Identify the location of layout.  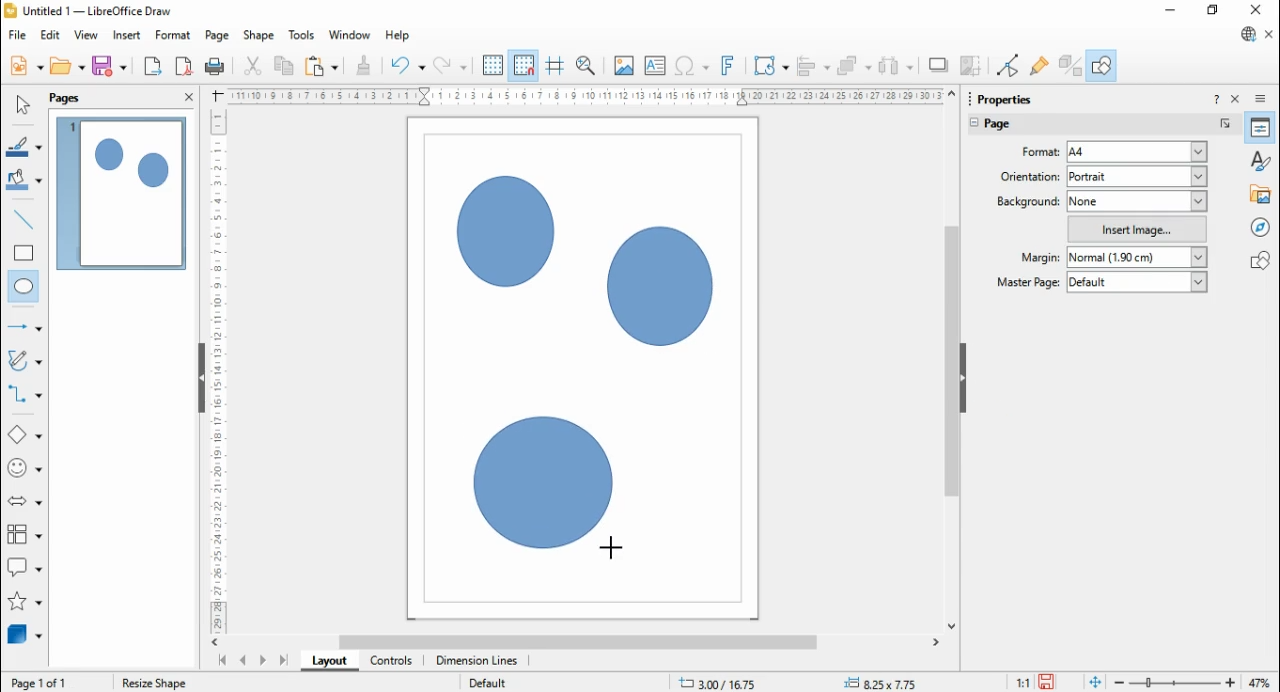
(328, 660).